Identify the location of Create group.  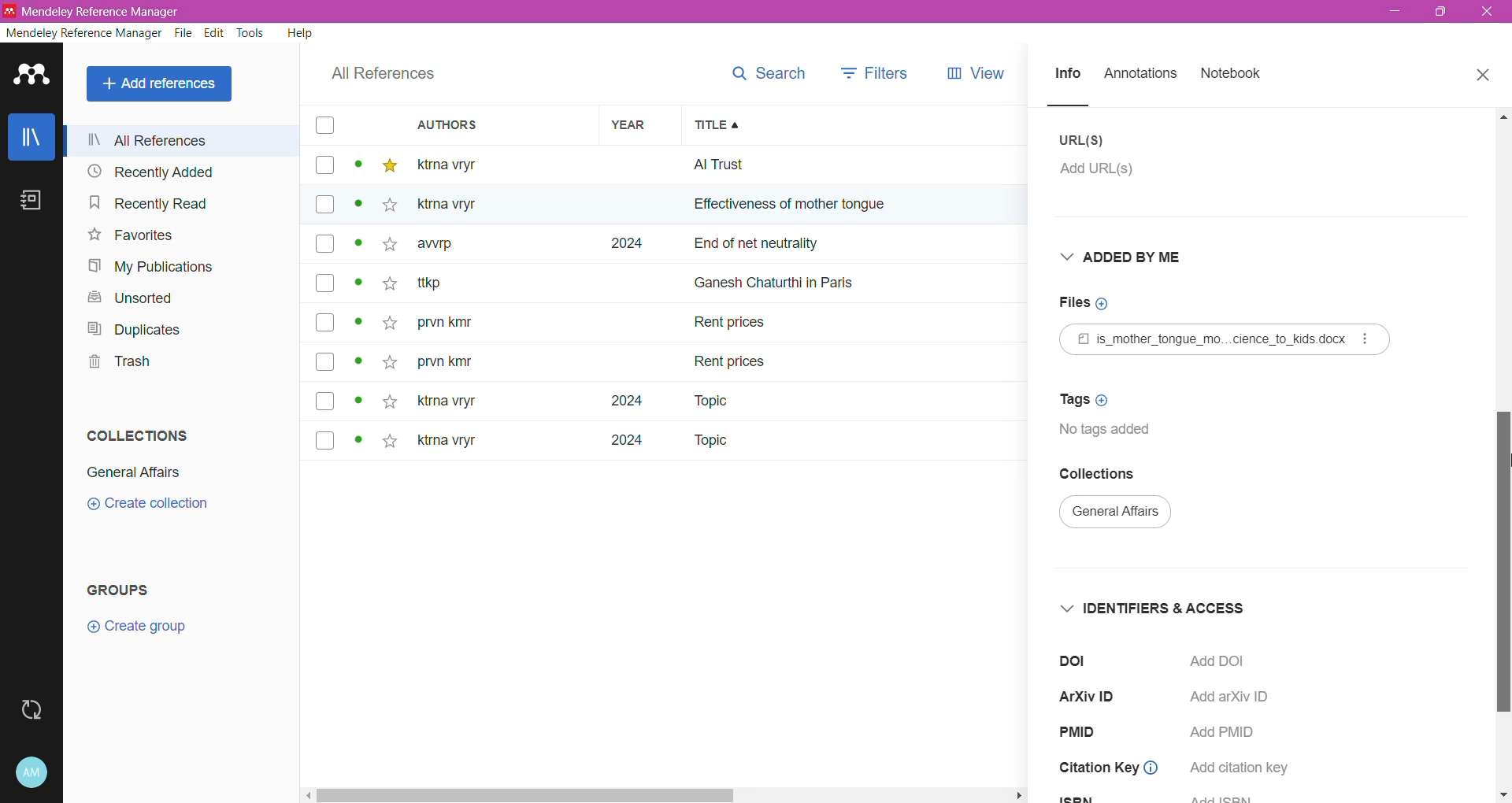
(136, 627).